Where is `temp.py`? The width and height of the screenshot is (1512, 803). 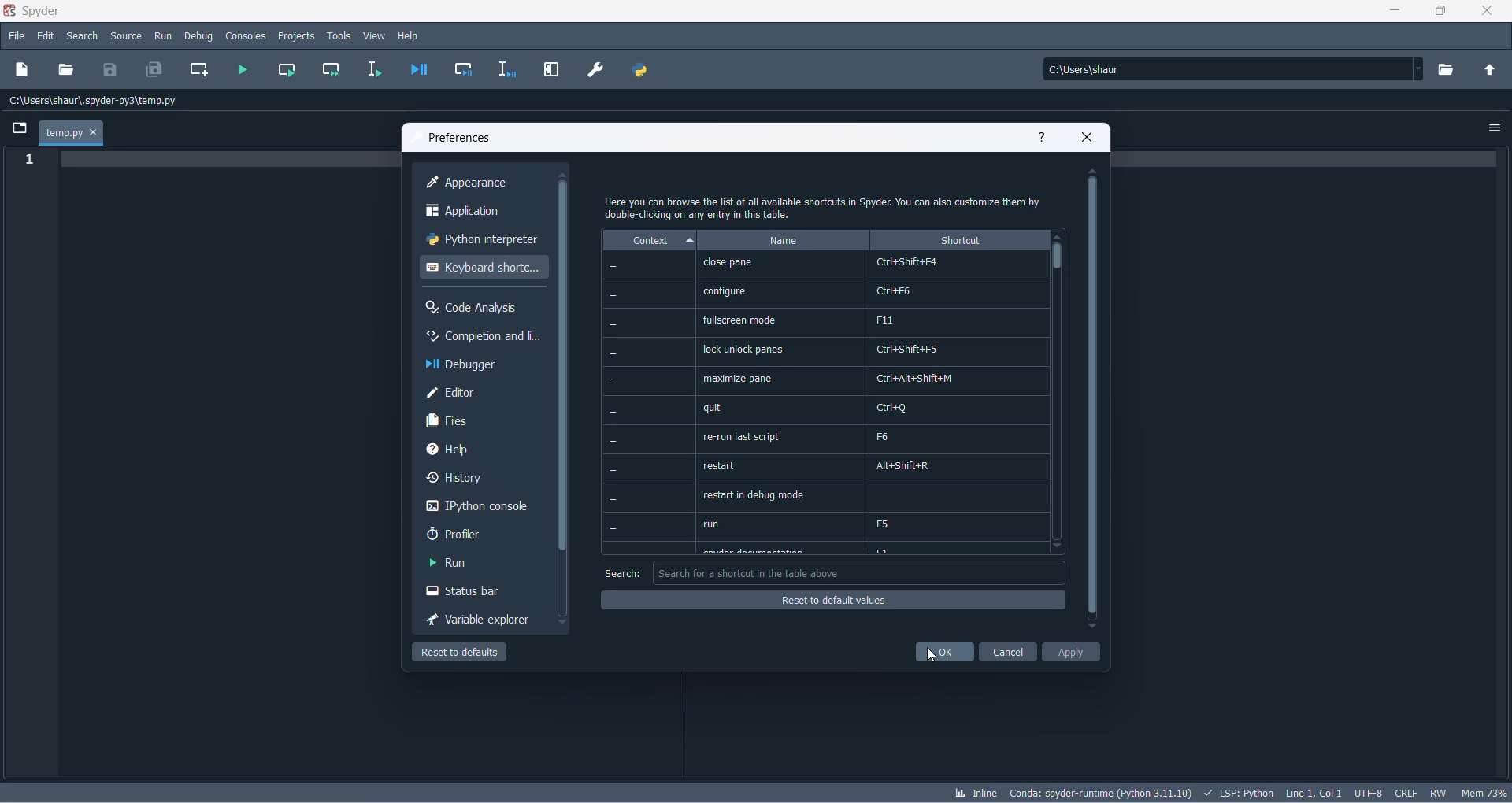 temp.py is located at coordinates (70, 133).